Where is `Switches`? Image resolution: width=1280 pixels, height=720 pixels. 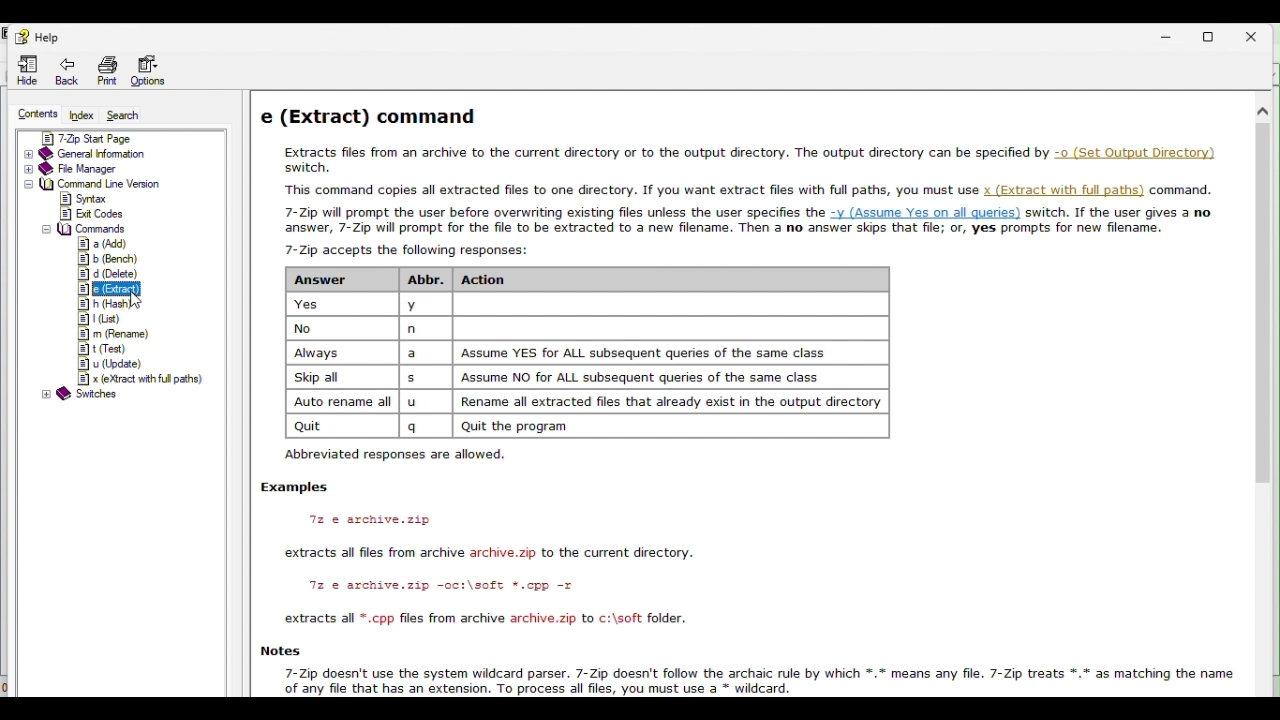
Switches is located at coordinates (84, 394).